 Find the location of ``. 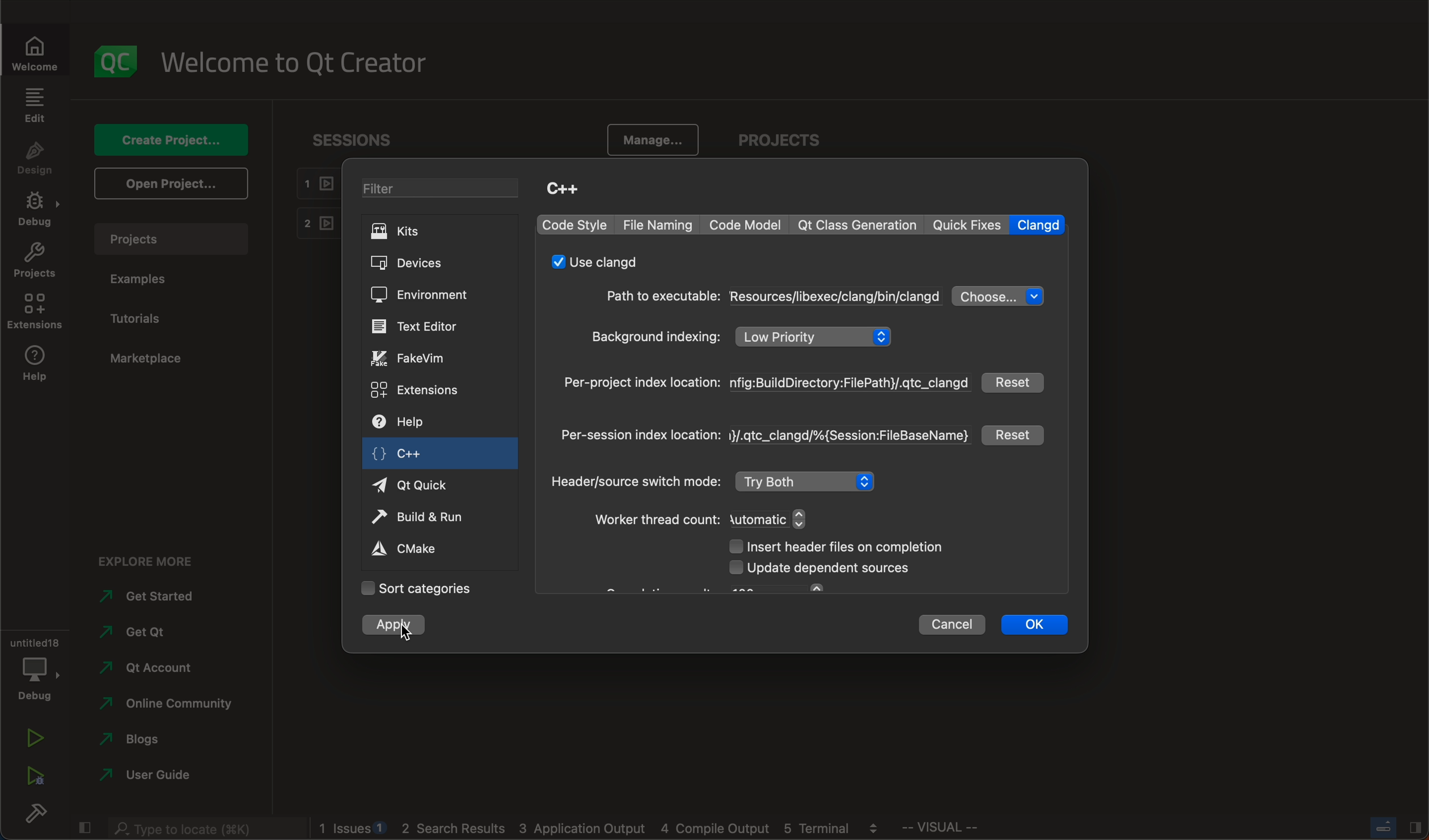

 is located at coordinates (1398, 828).